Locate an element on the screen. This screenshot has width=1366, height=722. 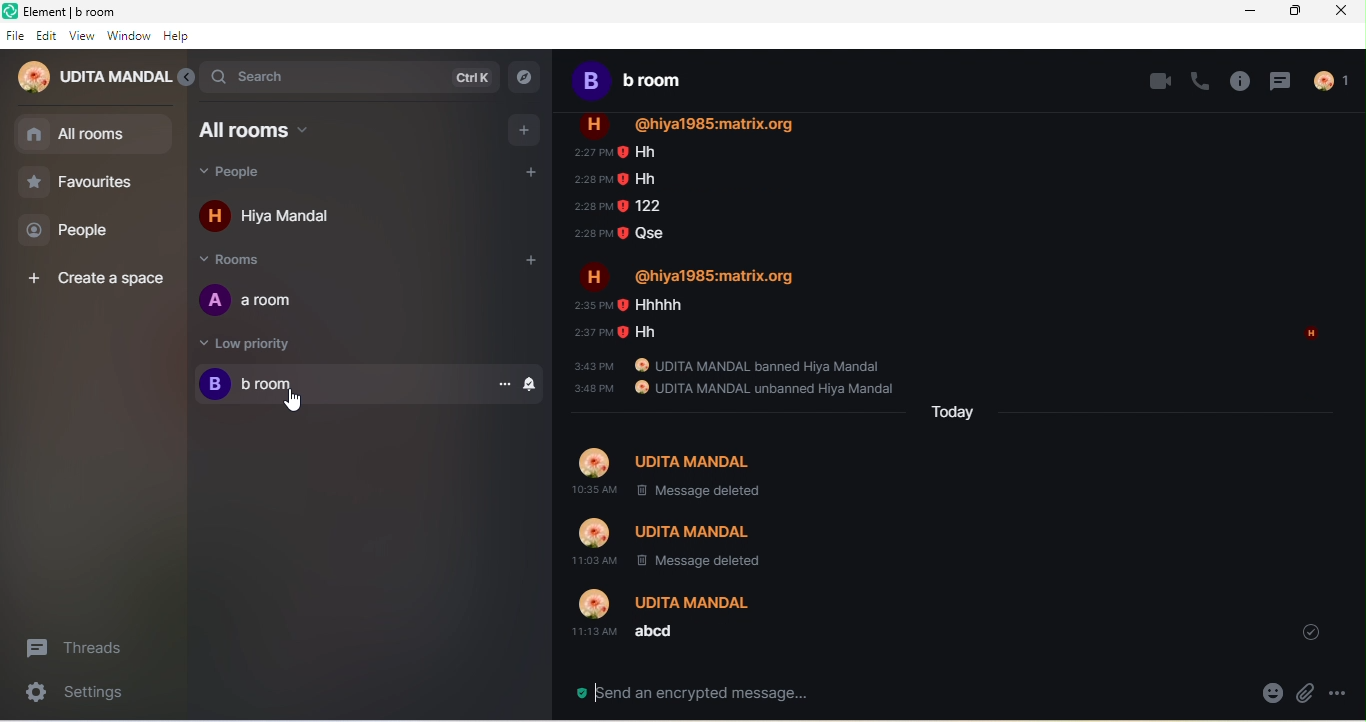
maximize is located at coordinates (1299, 12).